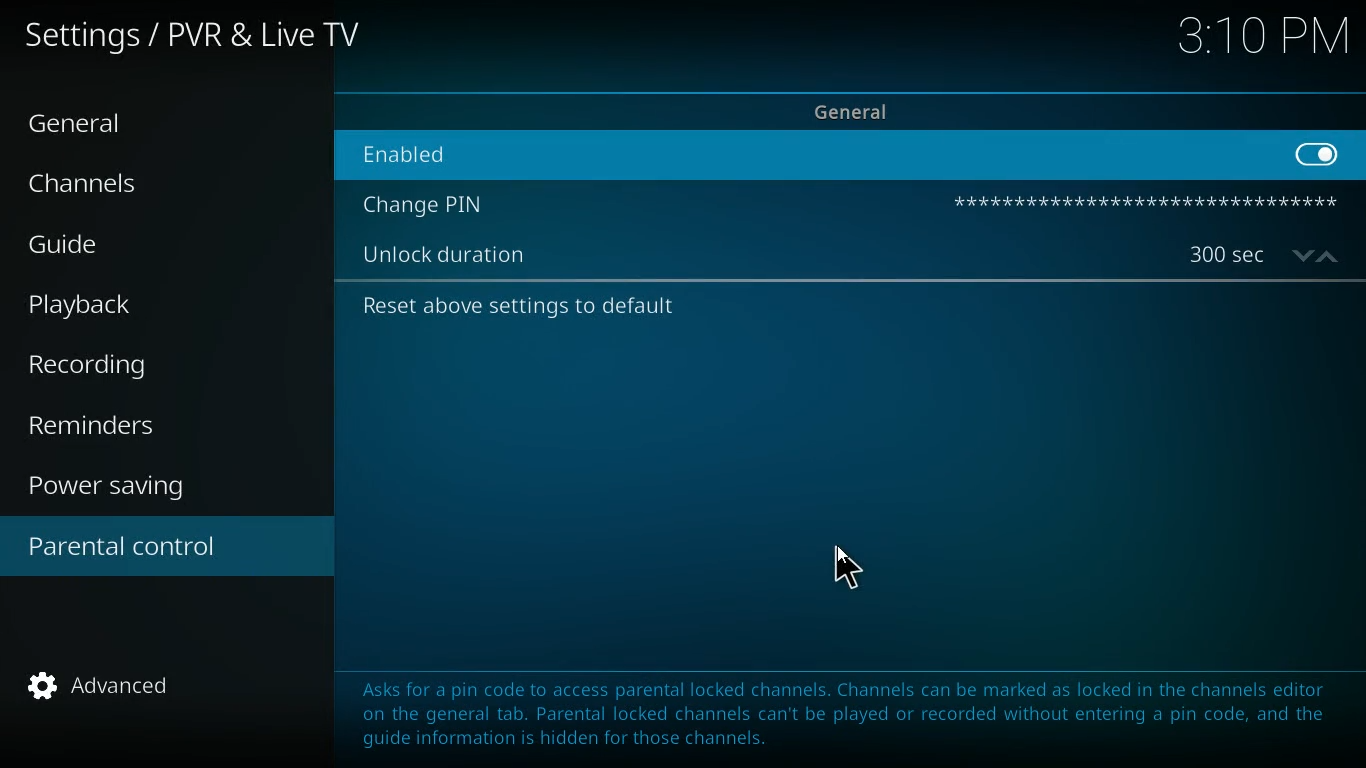 This screenshot has height=768, width=1366. I want to click on advanced, so click(114, 692).